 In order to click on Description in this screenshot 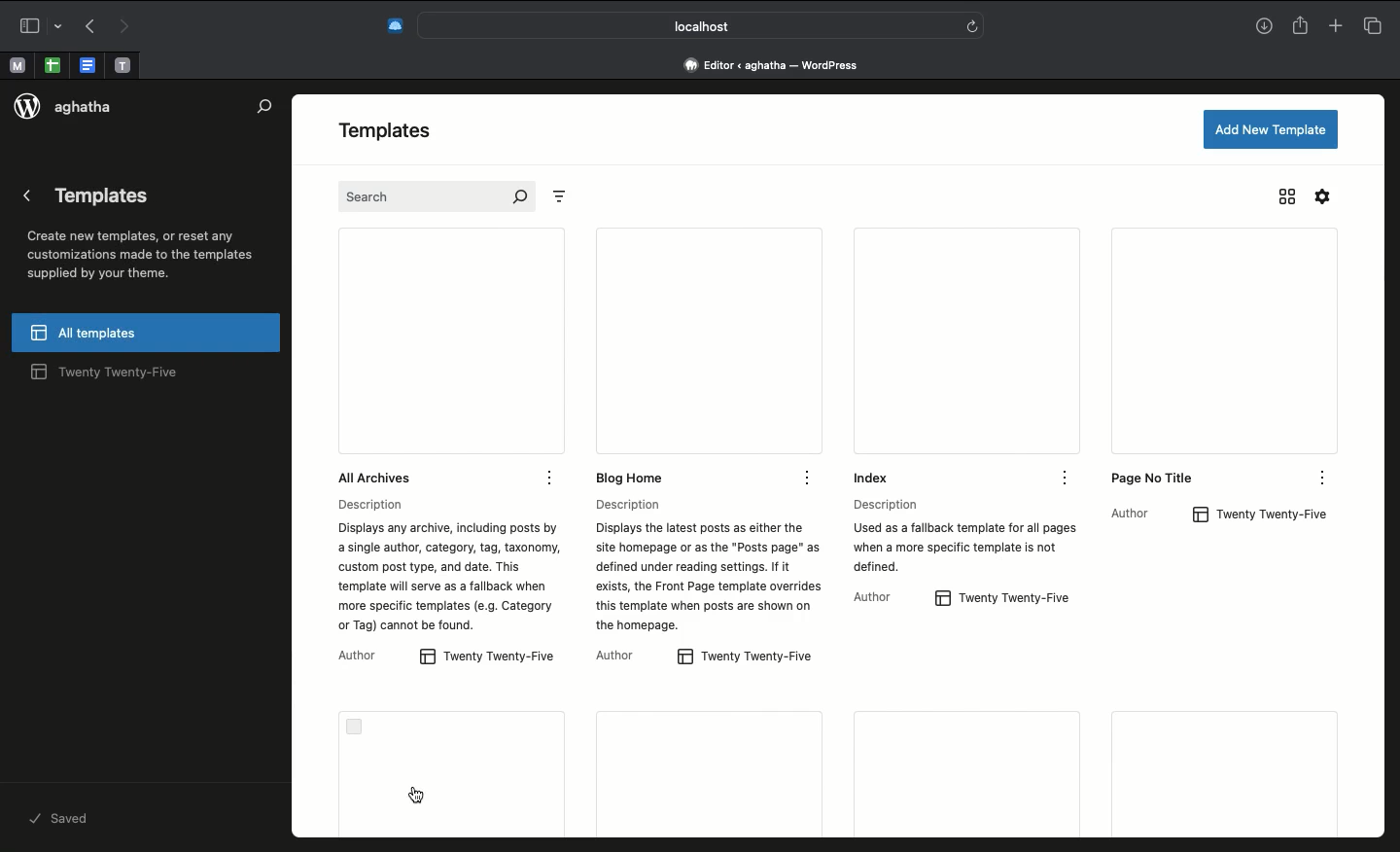, I will do `click(712, 565)`.